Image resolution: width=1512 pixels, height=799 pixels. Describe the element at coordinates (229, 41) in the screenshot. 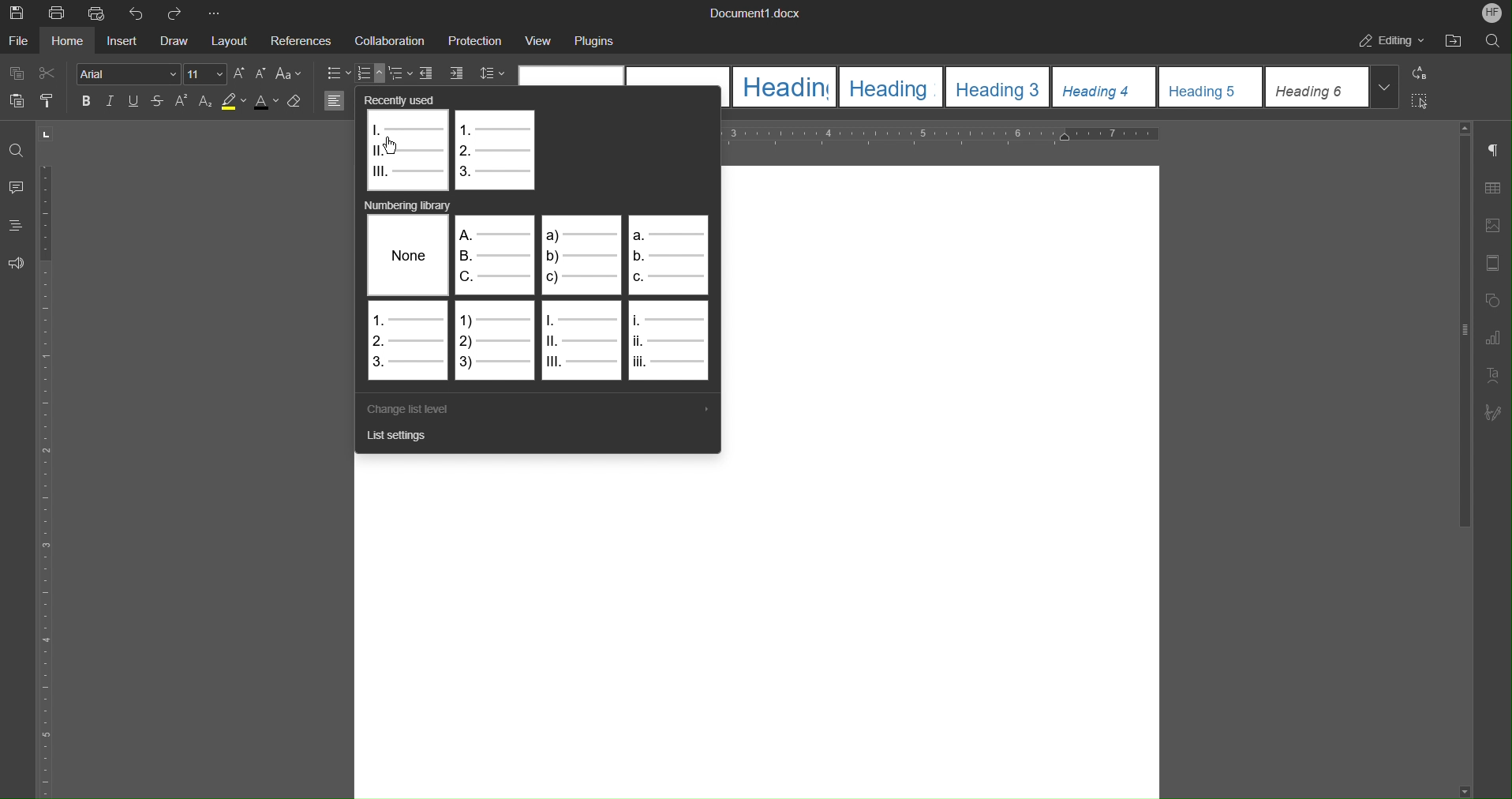

I see `Layout` at that location.